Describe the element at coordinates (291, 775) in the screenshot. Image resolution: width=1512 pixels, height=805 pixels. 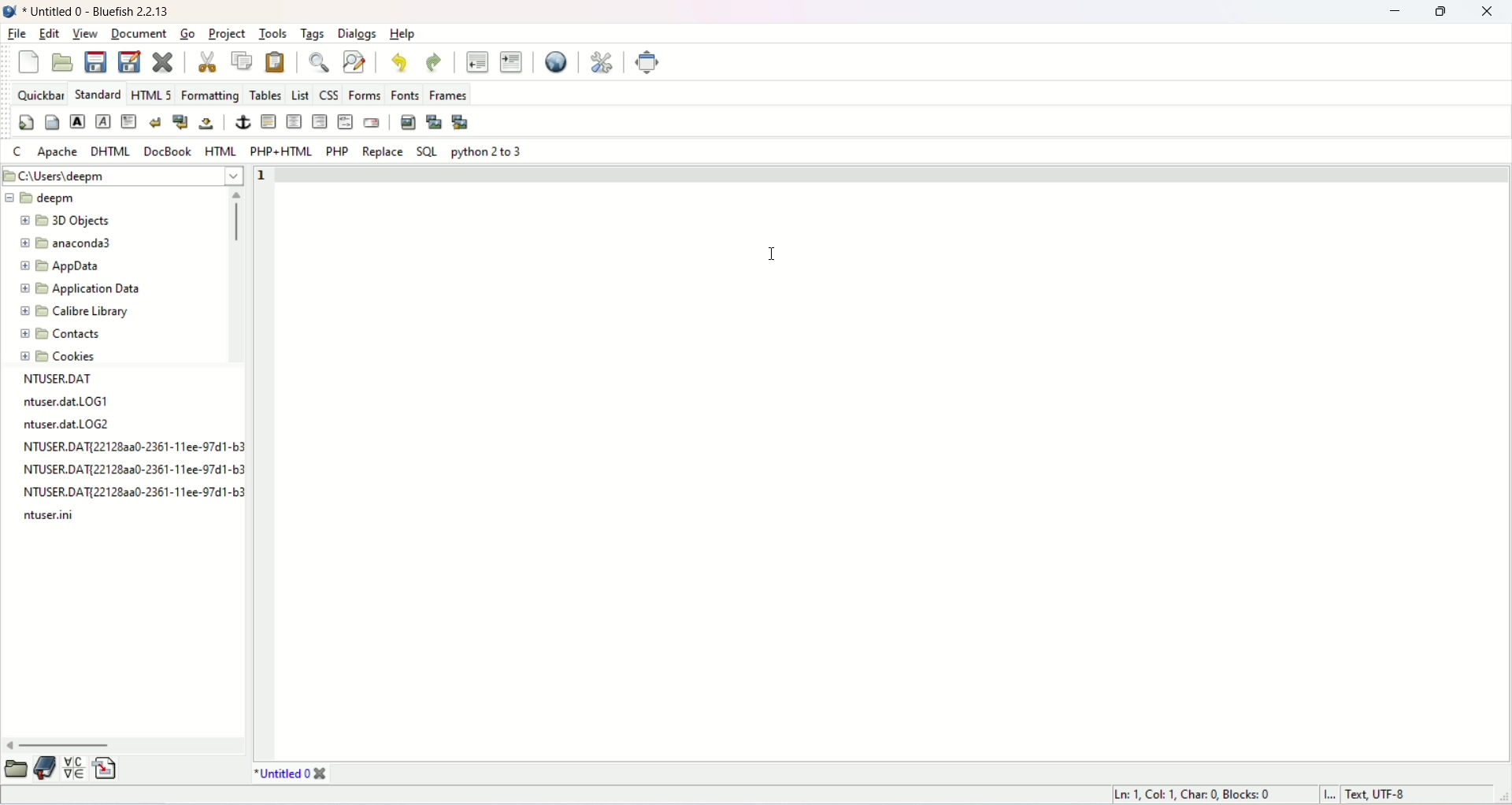
I see `untitled` at that location.